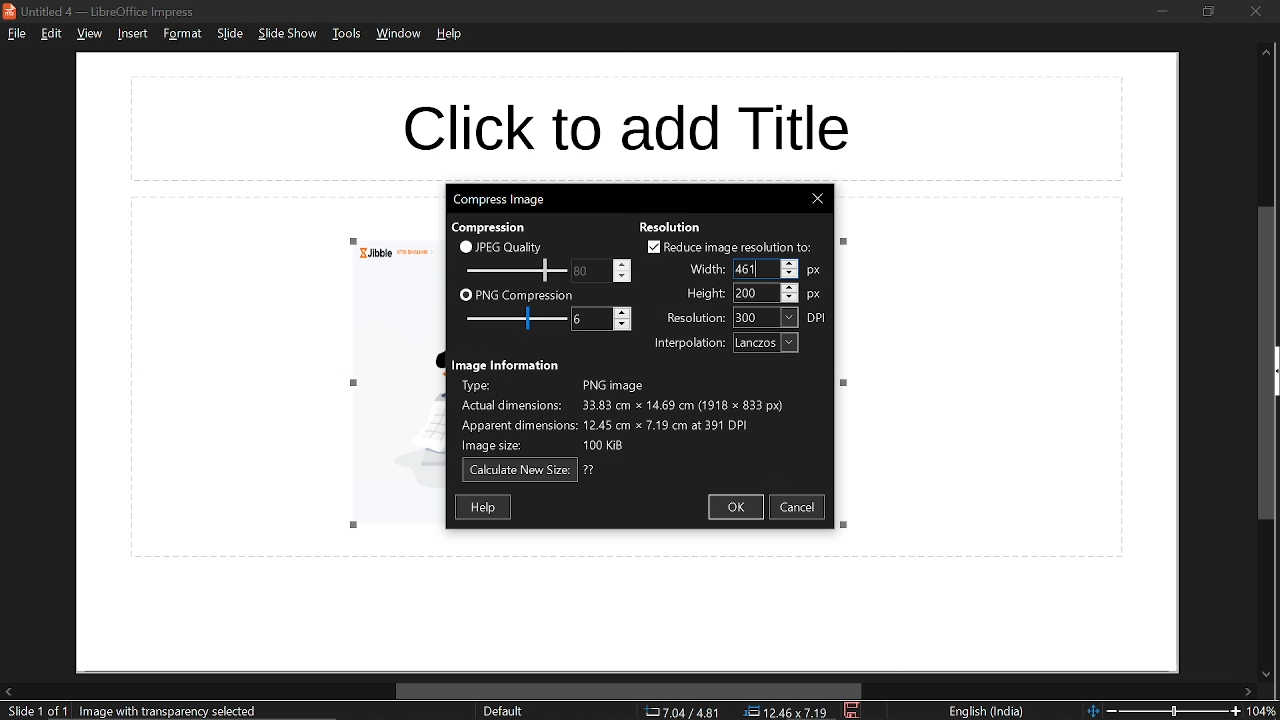 This screenshot has height=720, width=1280. Describe the element at coordinates (651, 246) in the screenshot. I see `checkbox` at that location.